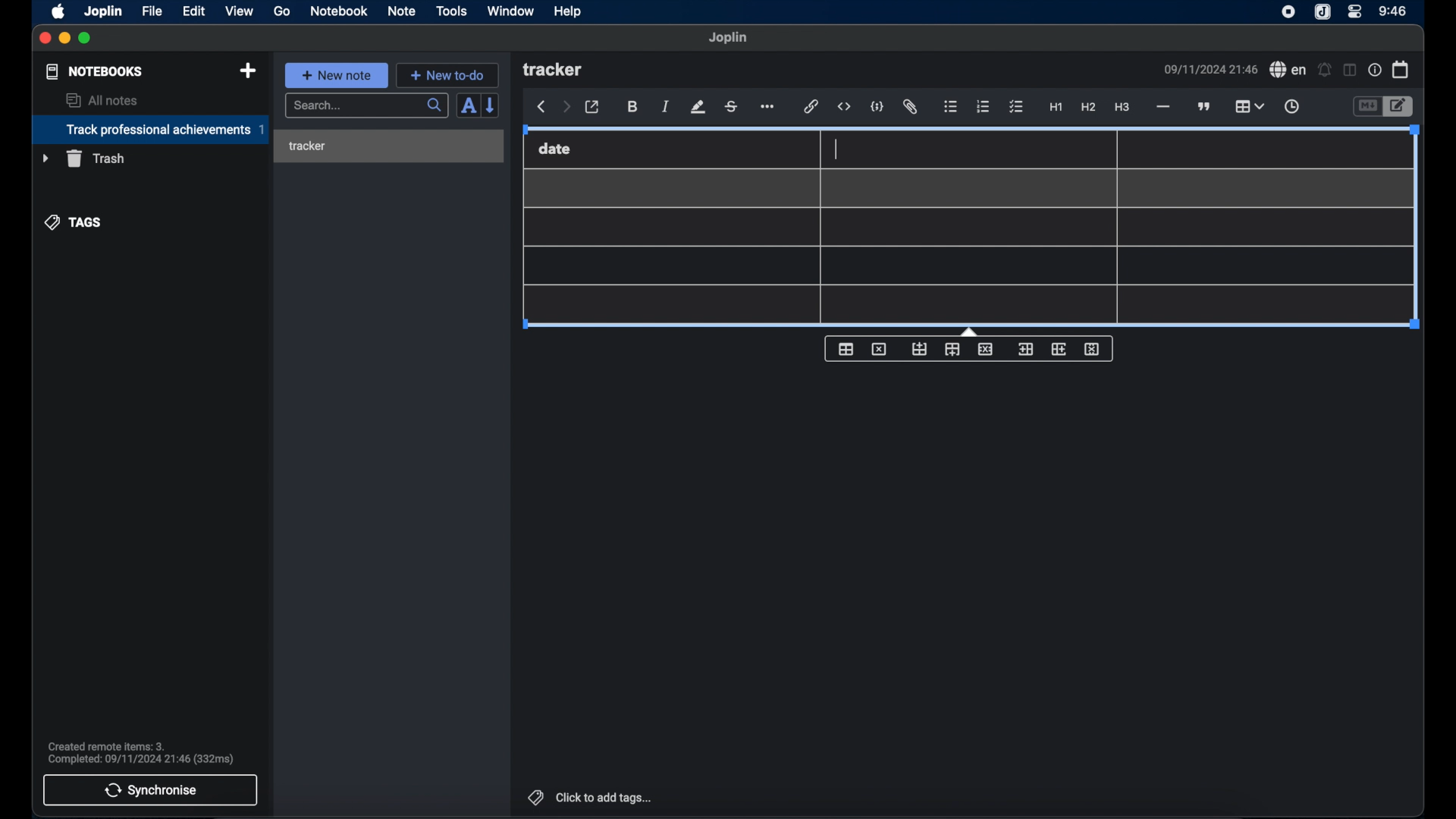 The height and width of the screenshot is (819, 1456). Describe the element at coordinates (1366, 106) in the screenshot. I see `toggle editor` at that location.